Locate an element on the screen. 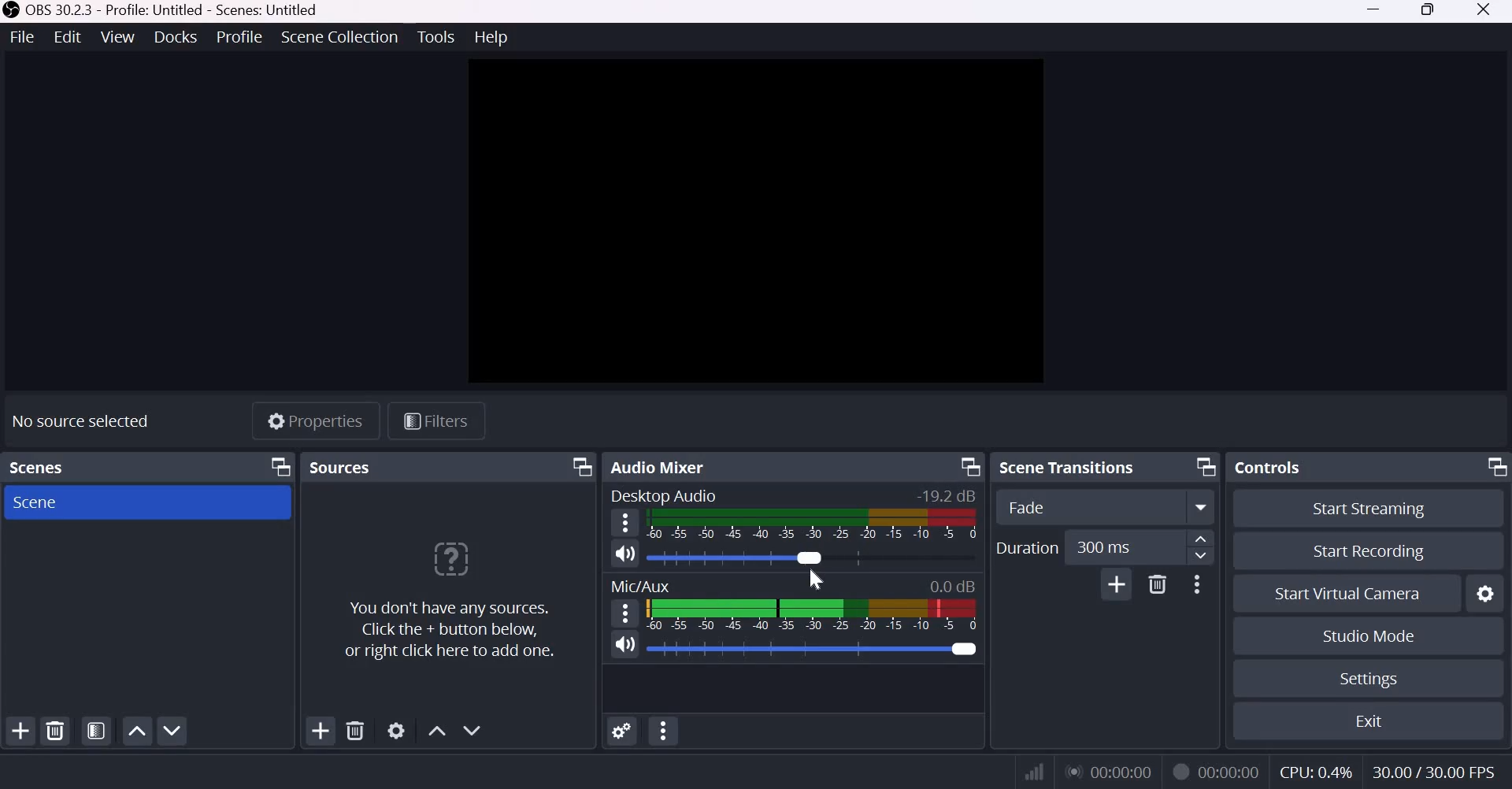 The image size is (1512, 789). Exit is located at coordinates (1377, 722).